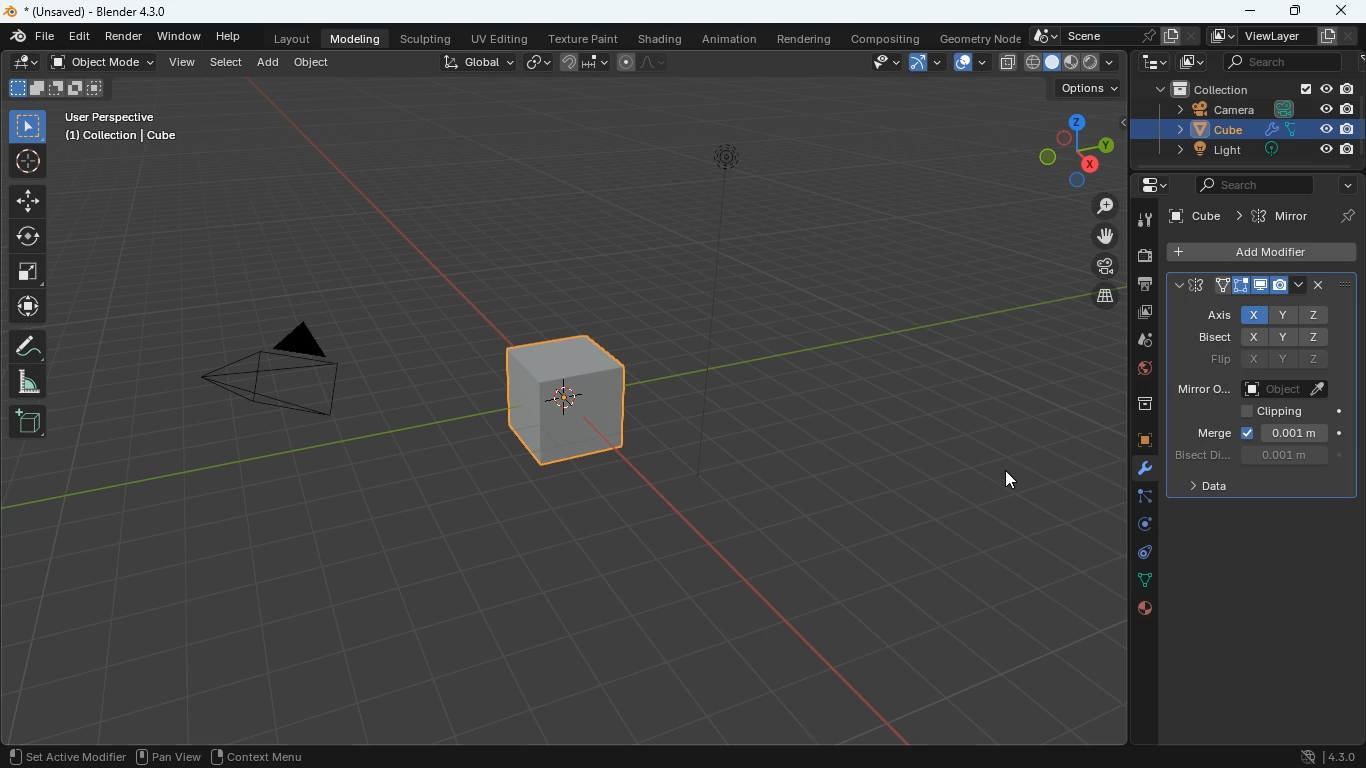 The width and height of the screenshot is (1366, 768). Describe the element at coordinates (29, 382) in the screenshot. I see `angle` at that location.